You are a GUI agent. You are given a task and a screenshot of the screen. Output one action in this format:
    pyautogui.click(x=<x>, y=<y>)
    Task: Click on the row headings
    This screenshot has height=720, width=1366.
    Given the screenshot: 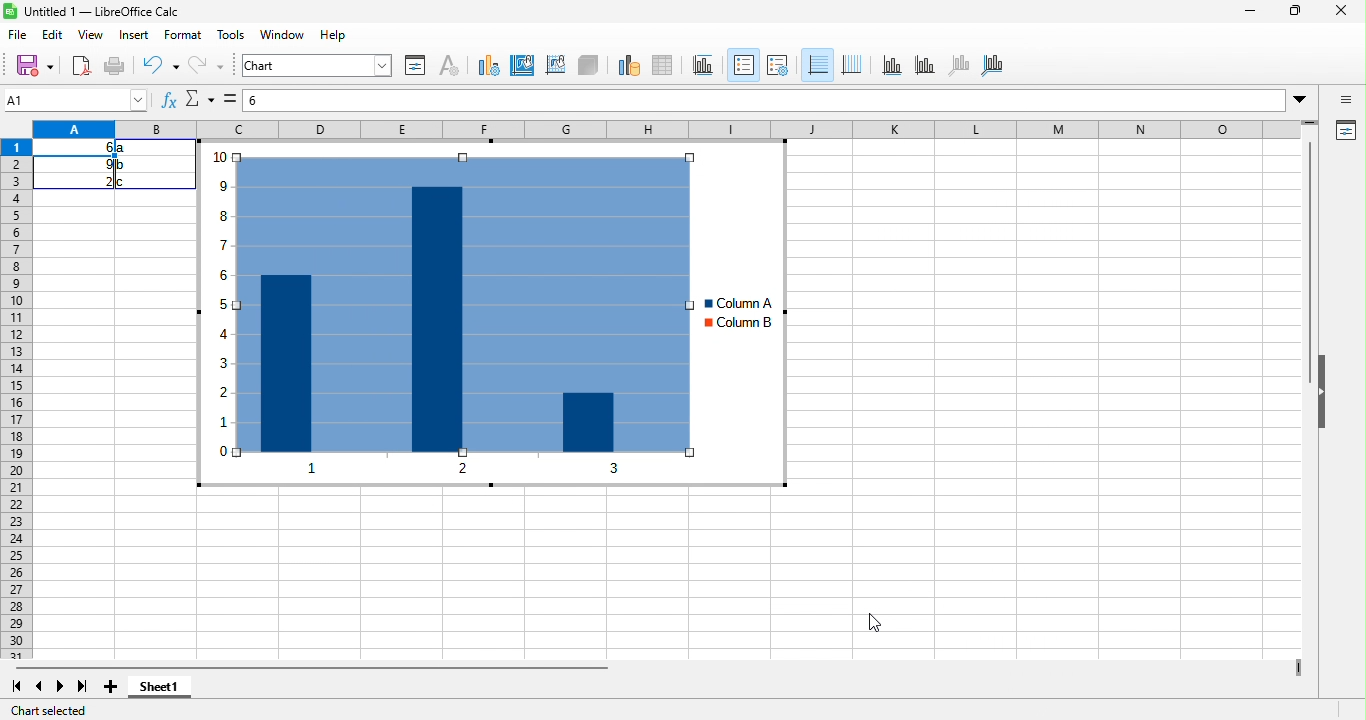 What is the action you would take?
    pyautogui.click(x=20, y=400)
    